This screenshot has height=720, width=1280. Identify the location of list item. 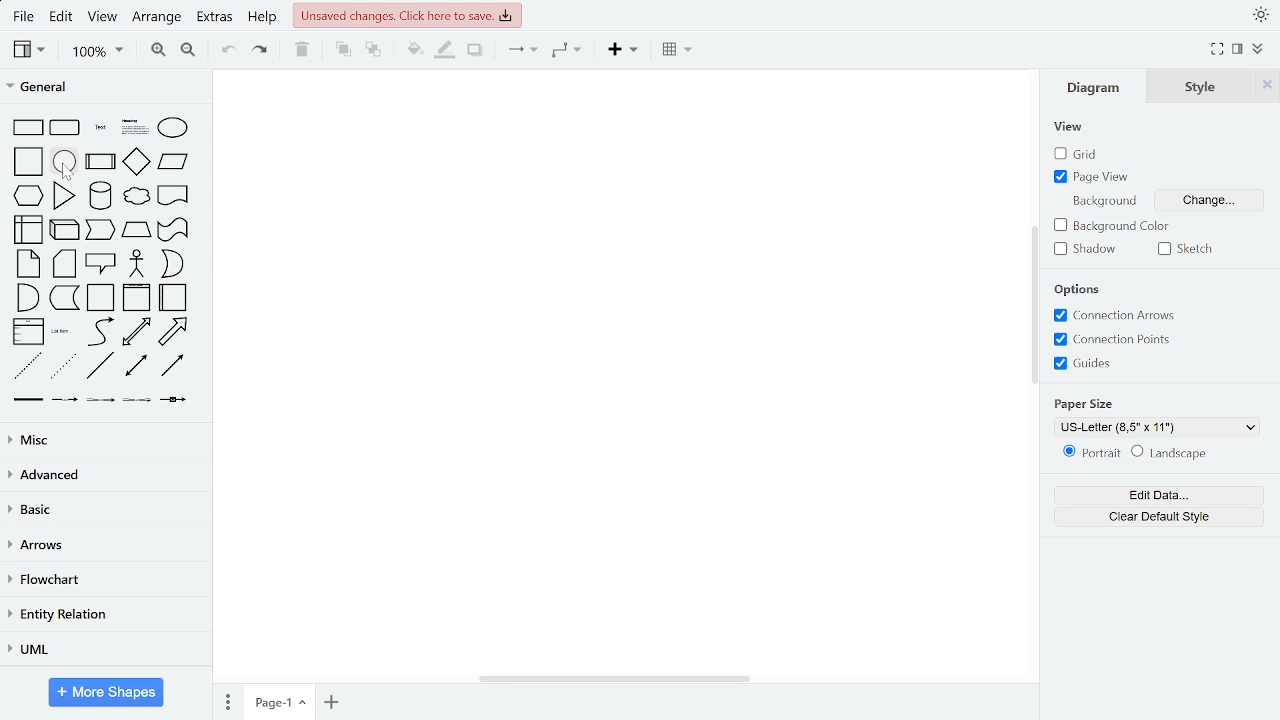
(63, 332).